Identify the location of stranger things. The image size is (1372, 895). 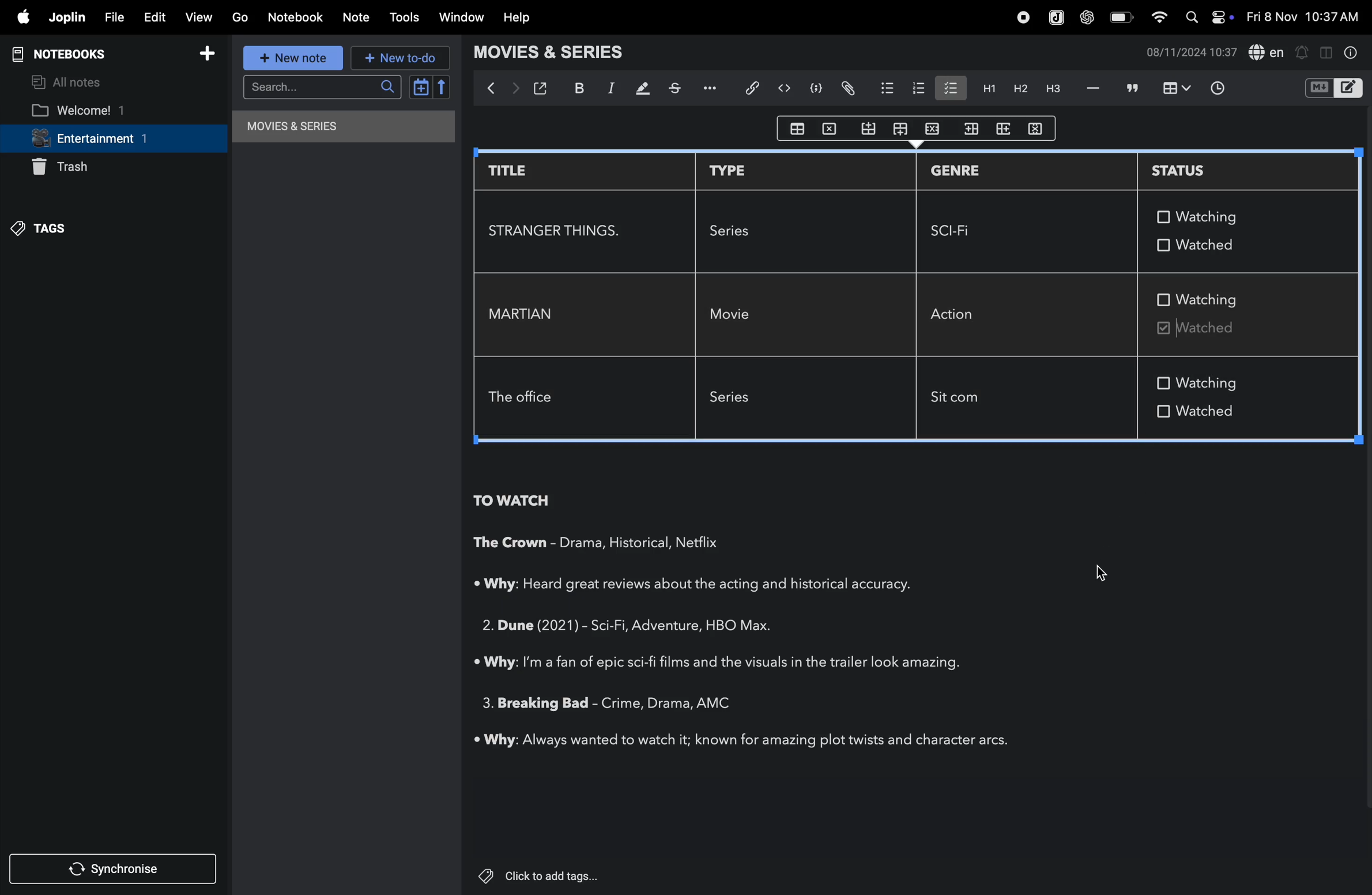
(557, 230).